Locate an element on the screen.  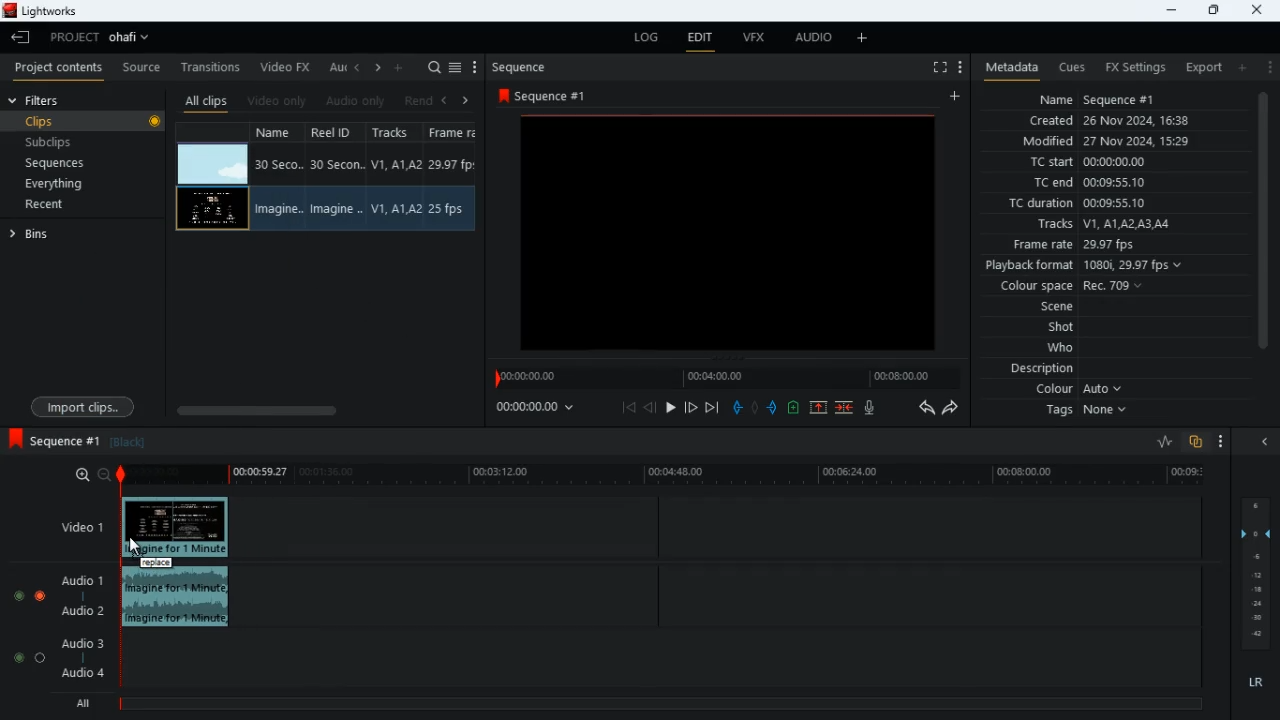
timeline is located at coordinates (659, 702).